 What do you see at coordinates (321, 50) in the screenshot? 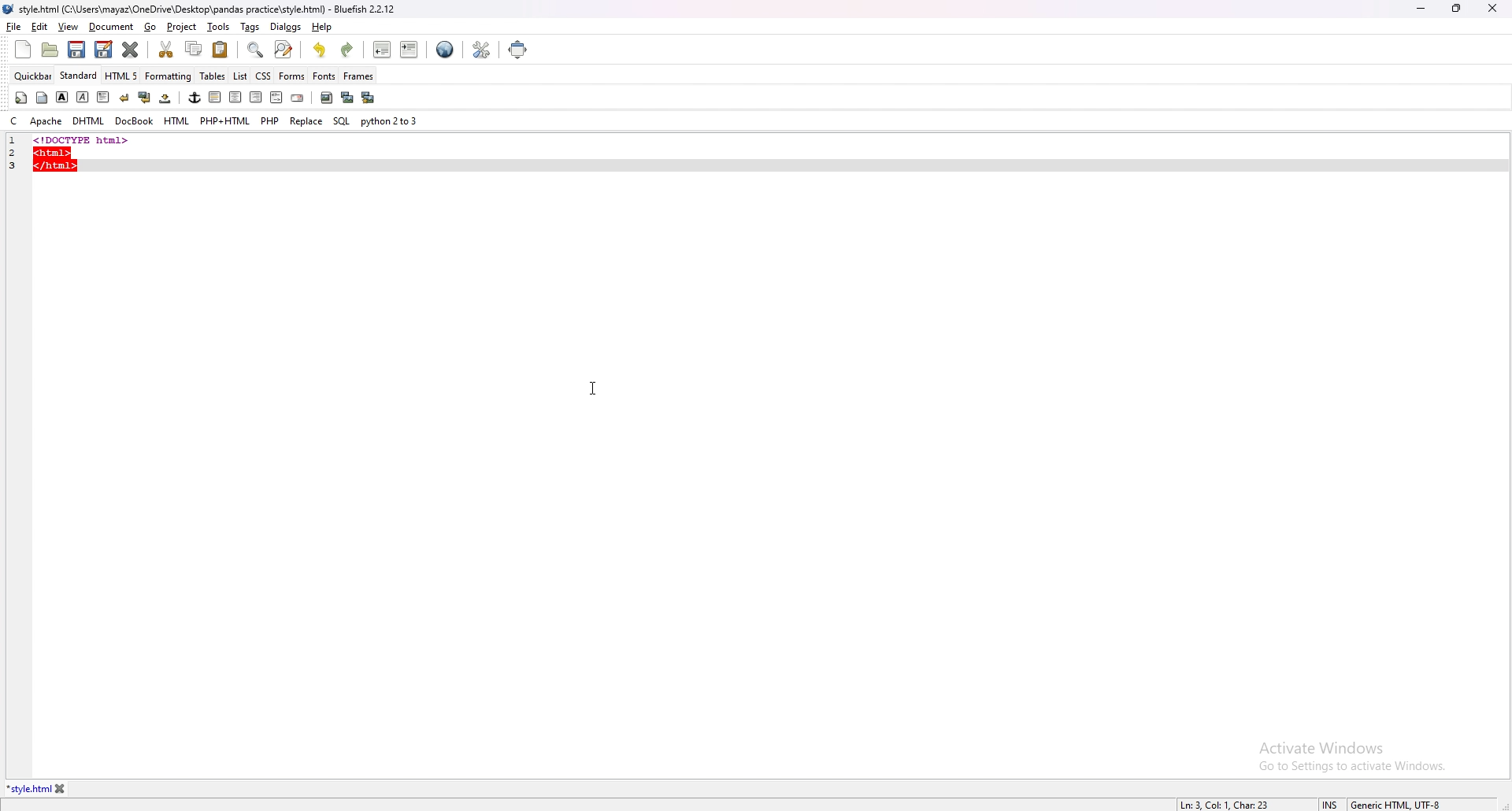
I see `undo` at bounding box center [321, 50].